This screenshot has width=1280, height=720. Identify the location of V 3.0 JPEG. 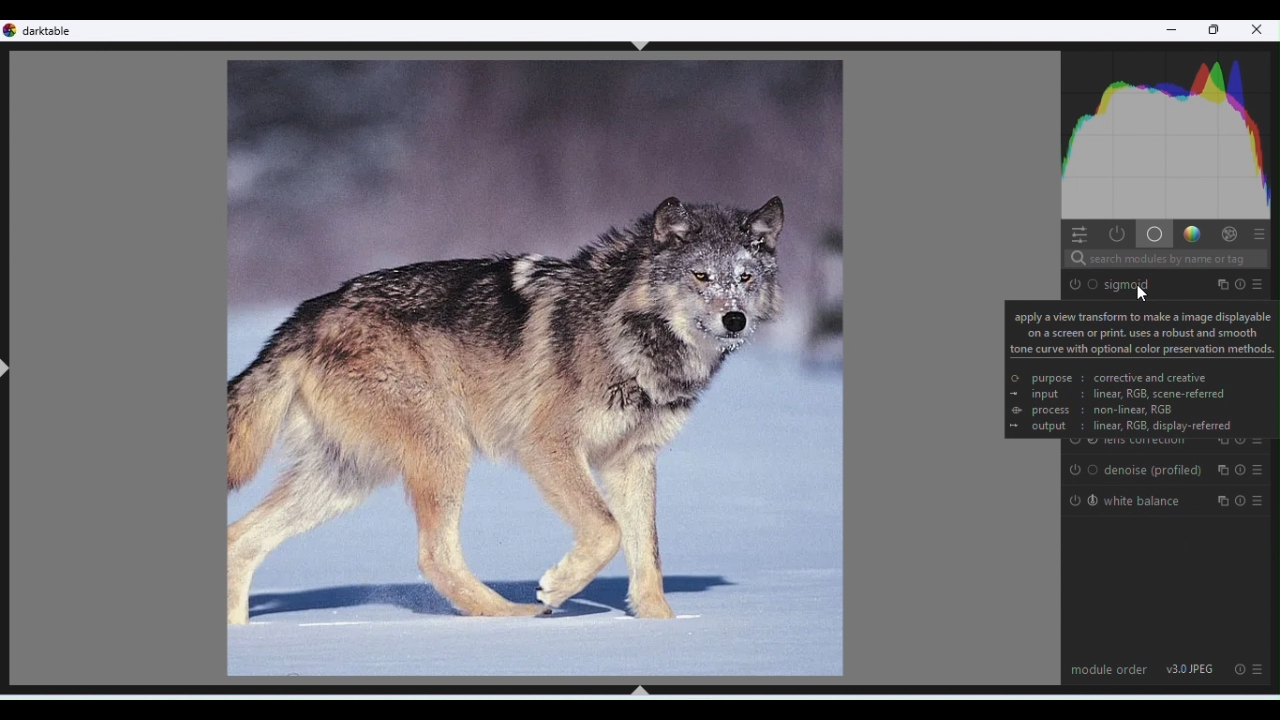
(1191, 668).